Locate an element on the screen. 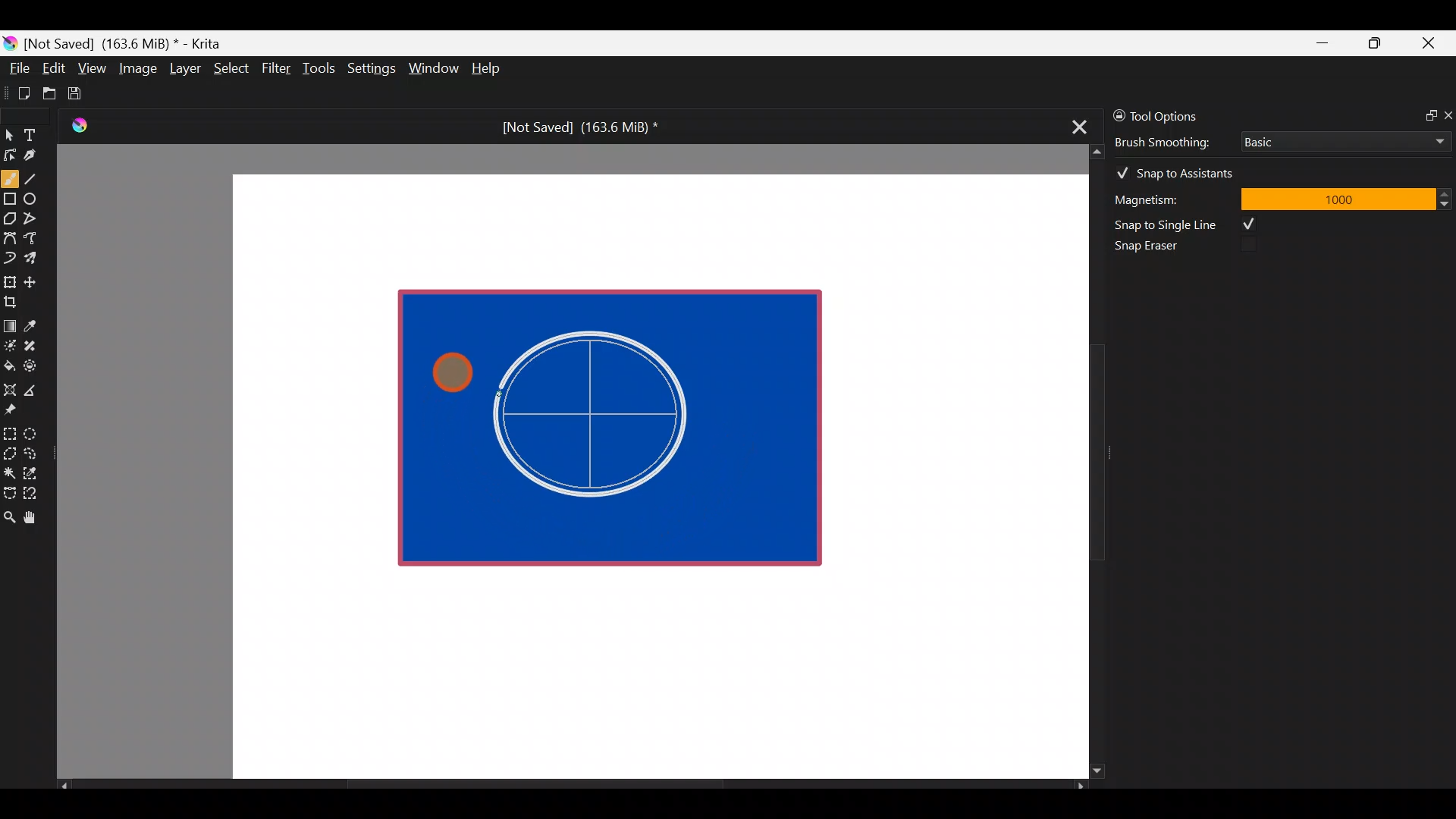  Colourise mask tool is located at coordinates (10, 344).